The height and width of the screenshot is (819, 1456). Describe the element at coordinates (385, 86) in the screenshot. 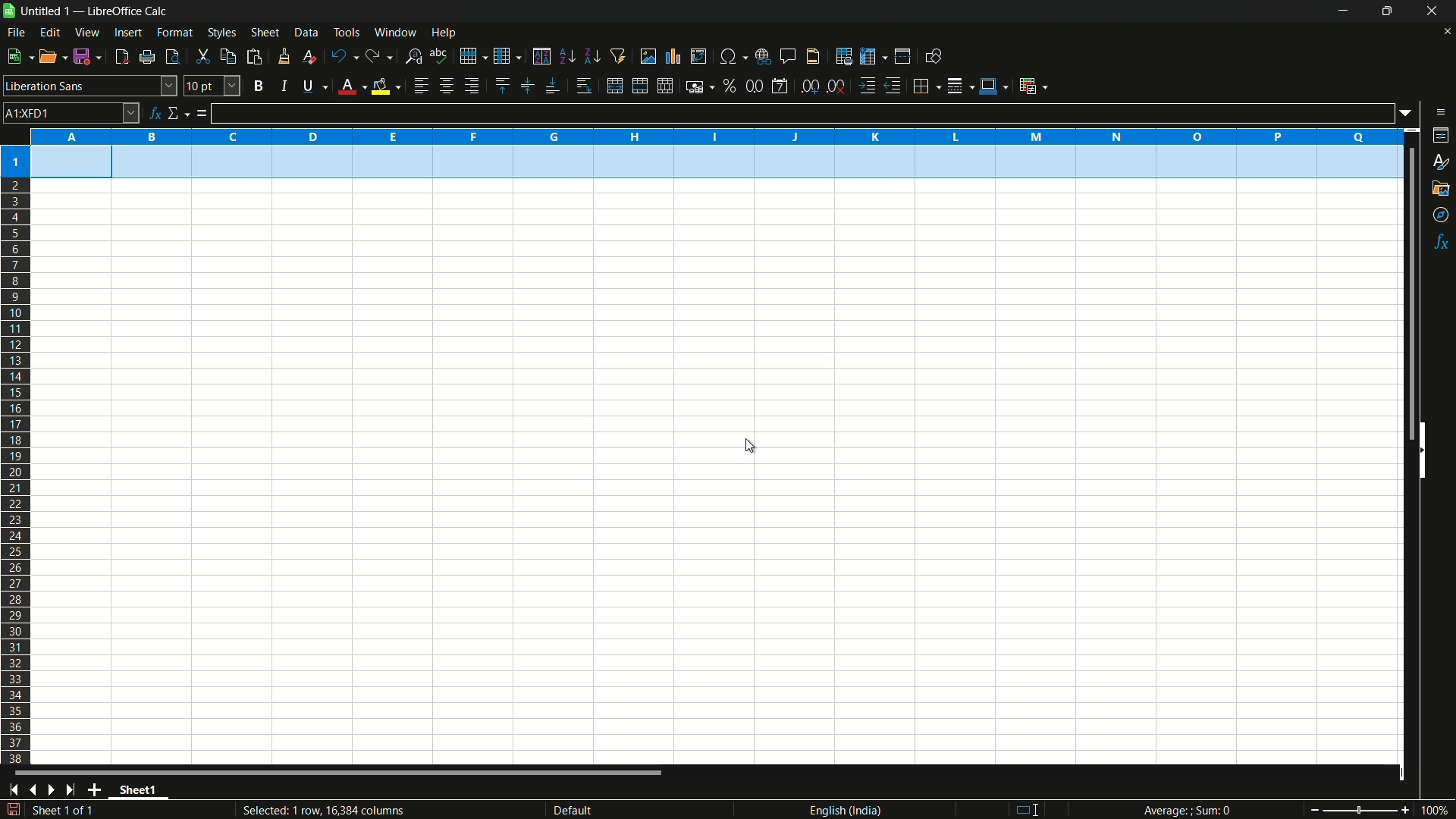

I see `background fill` at that location.